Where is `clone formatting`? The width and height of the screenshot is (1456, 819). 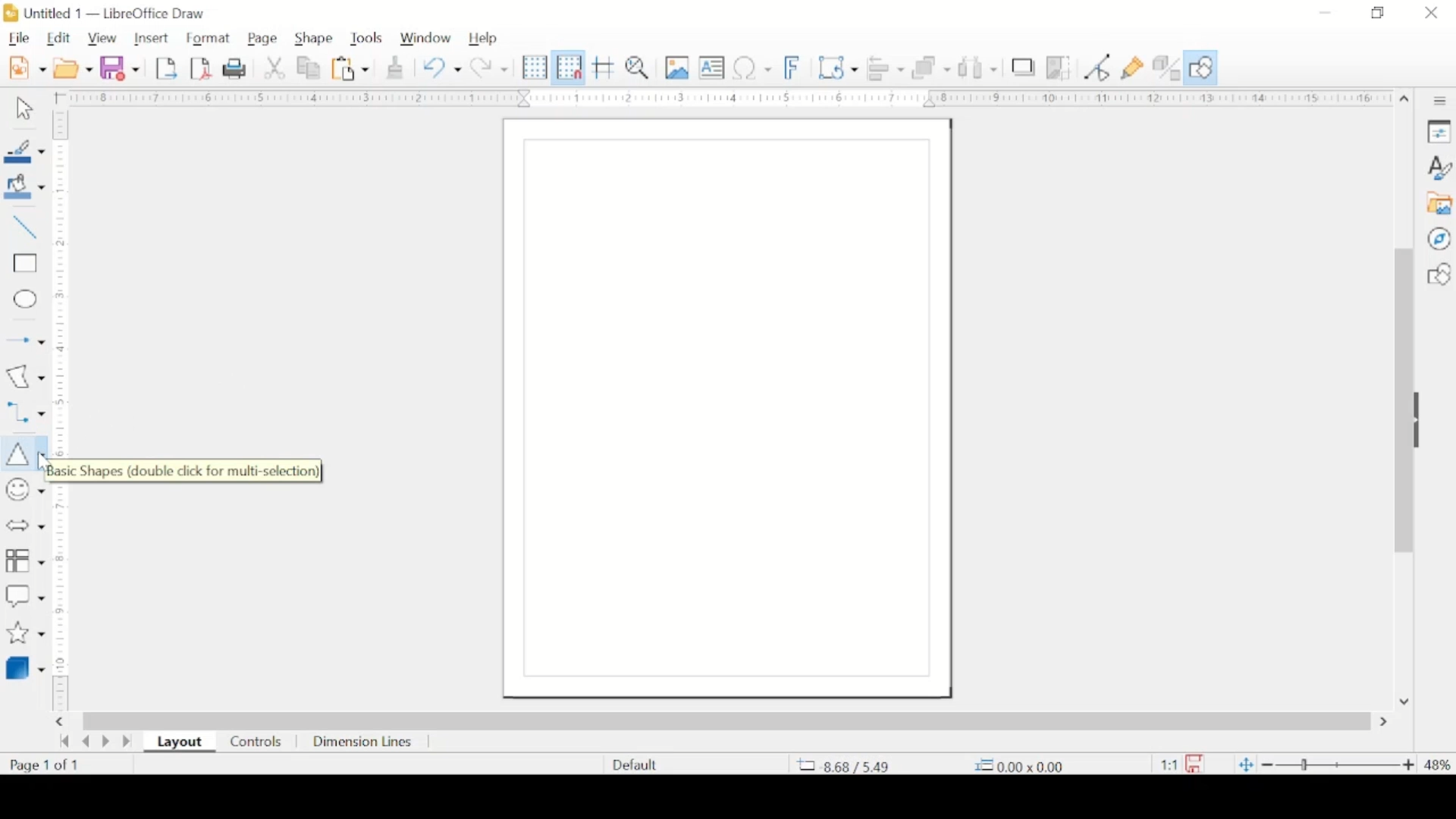 clone formatting is located at coordinates (395, 67).